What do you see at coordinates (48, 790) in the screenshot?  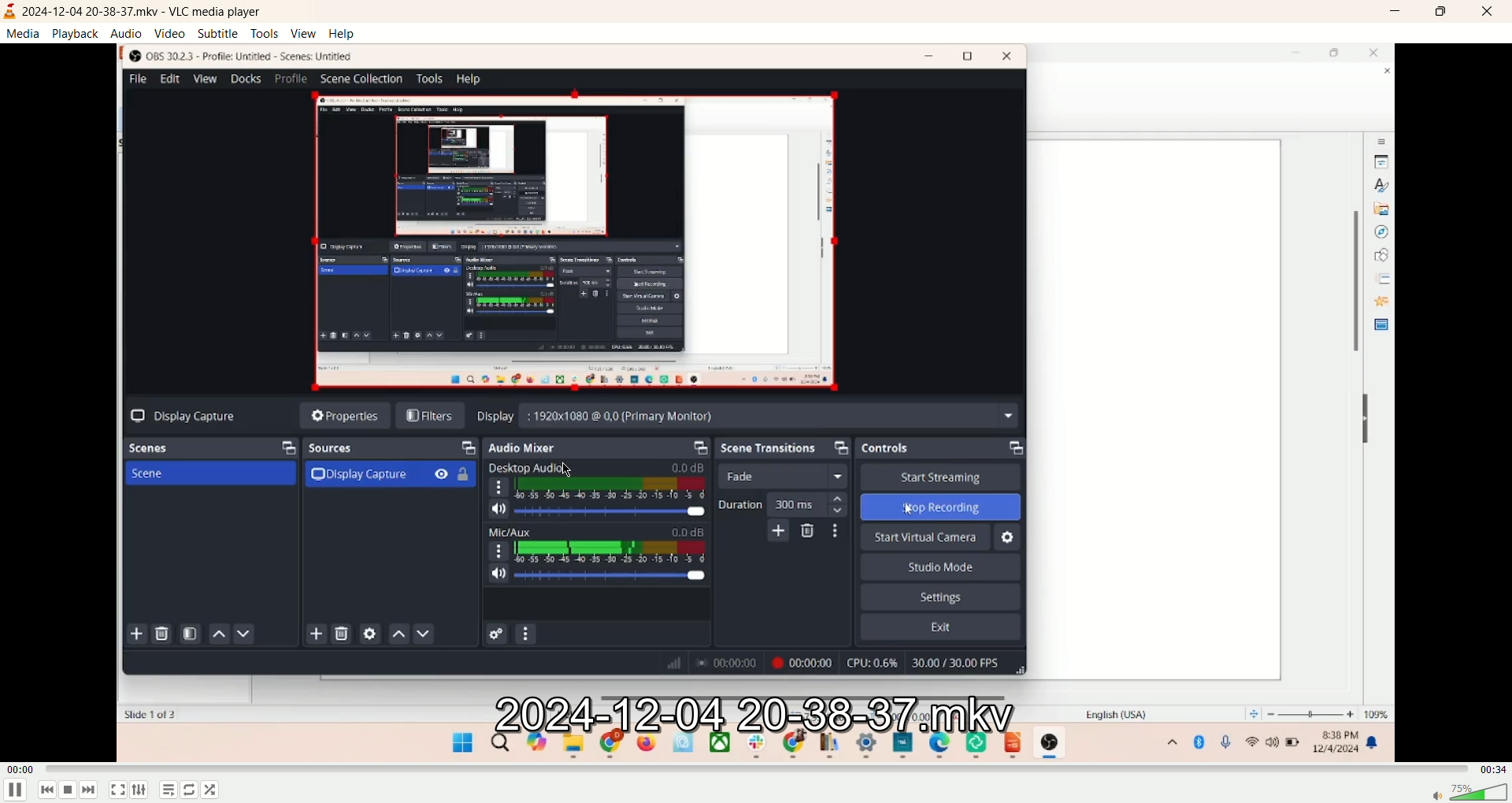 I see `previous` at bounding box center [48, 790].